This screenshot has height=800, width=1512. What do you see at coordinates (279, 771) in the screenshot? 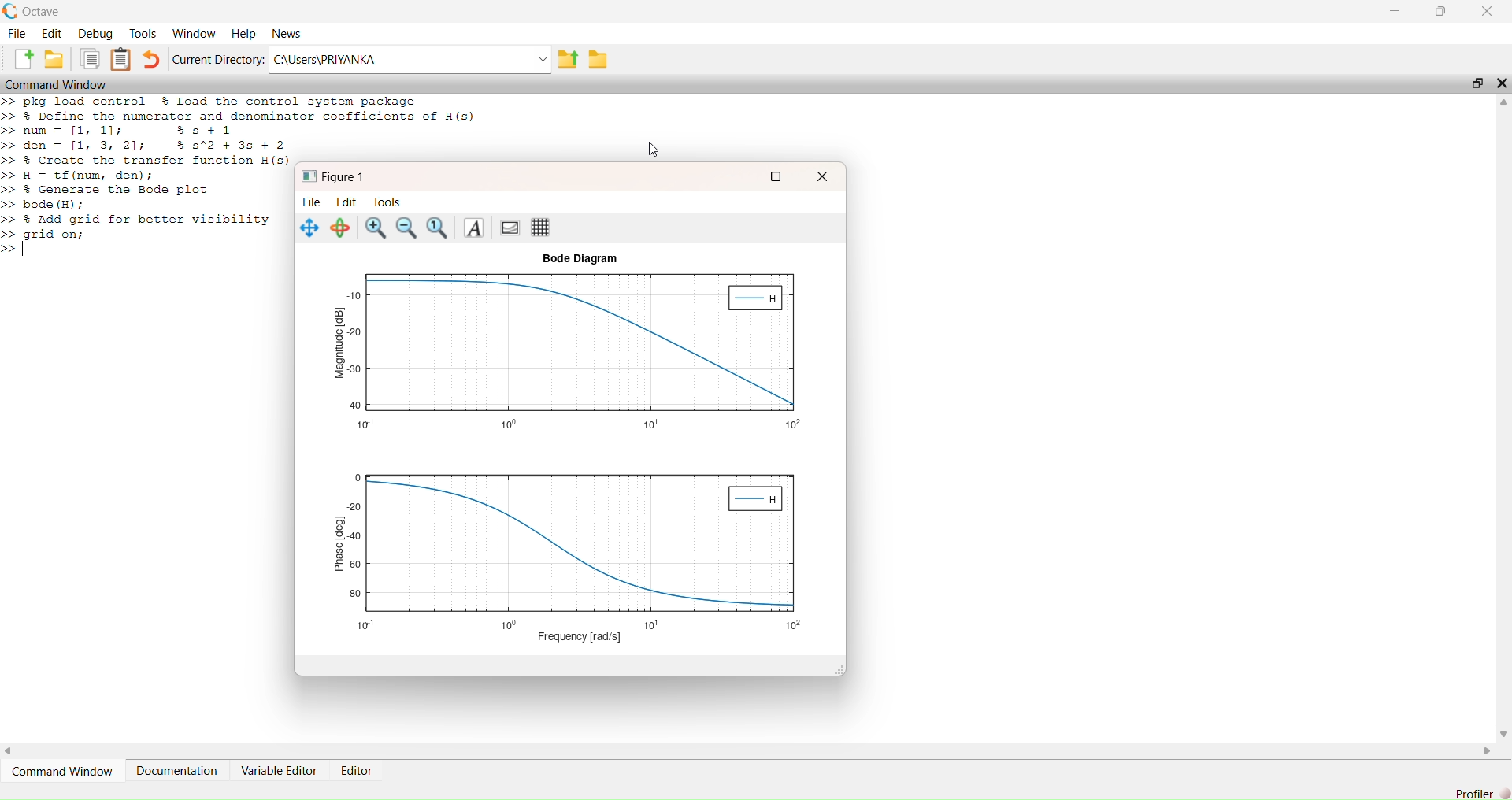
I see `Variable Editor` at bounding box center [279, 771].